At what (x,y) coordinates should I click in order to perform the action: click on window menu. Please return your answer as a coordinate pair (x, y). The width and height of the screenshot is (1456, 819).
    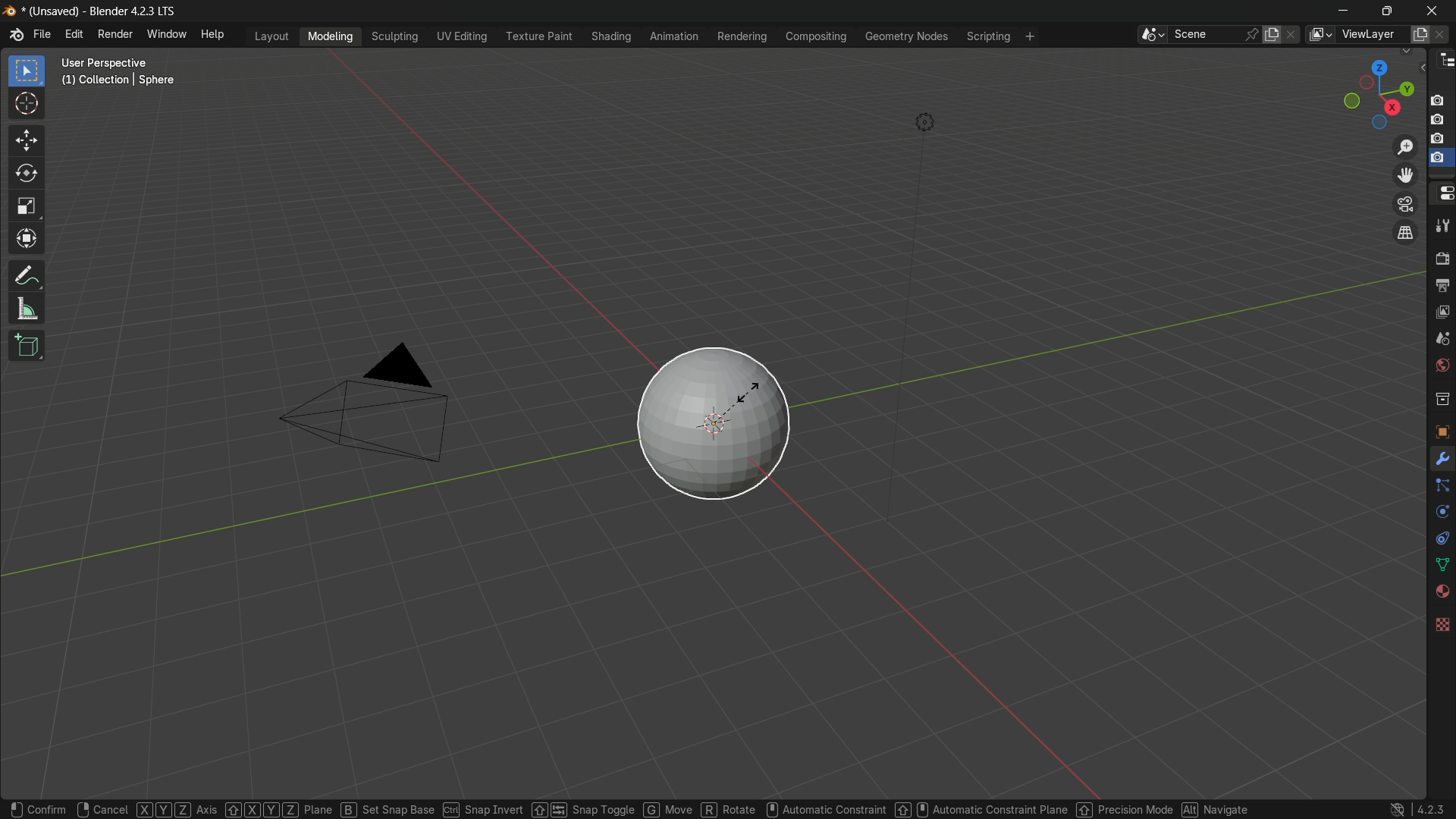
    Looking at the image, I should click on (166, 36).